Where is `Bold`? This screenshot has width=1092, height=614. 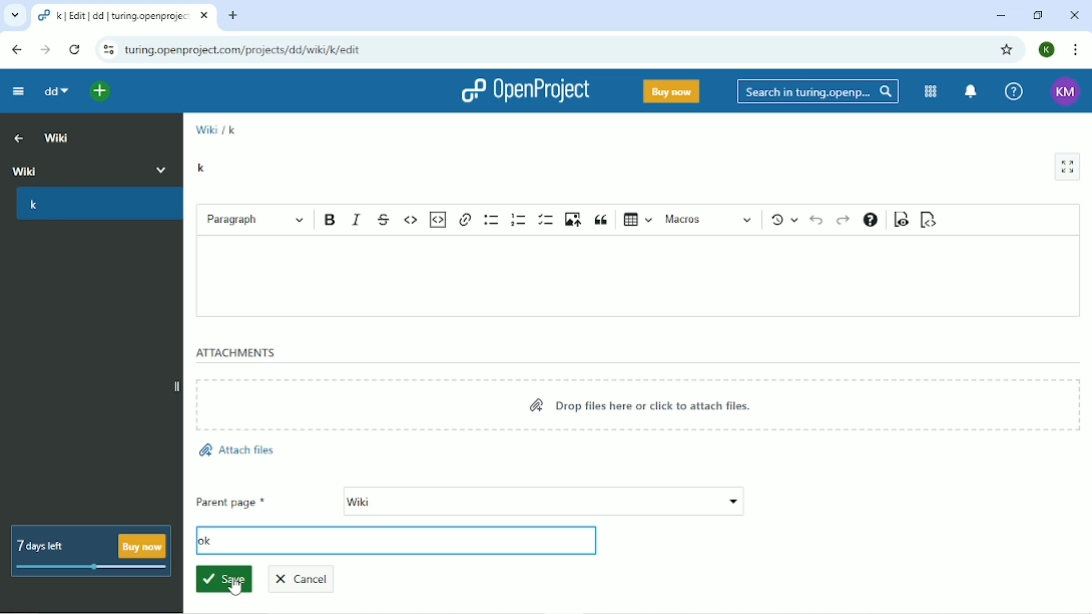 Bold is located at coordinates (330, 219).